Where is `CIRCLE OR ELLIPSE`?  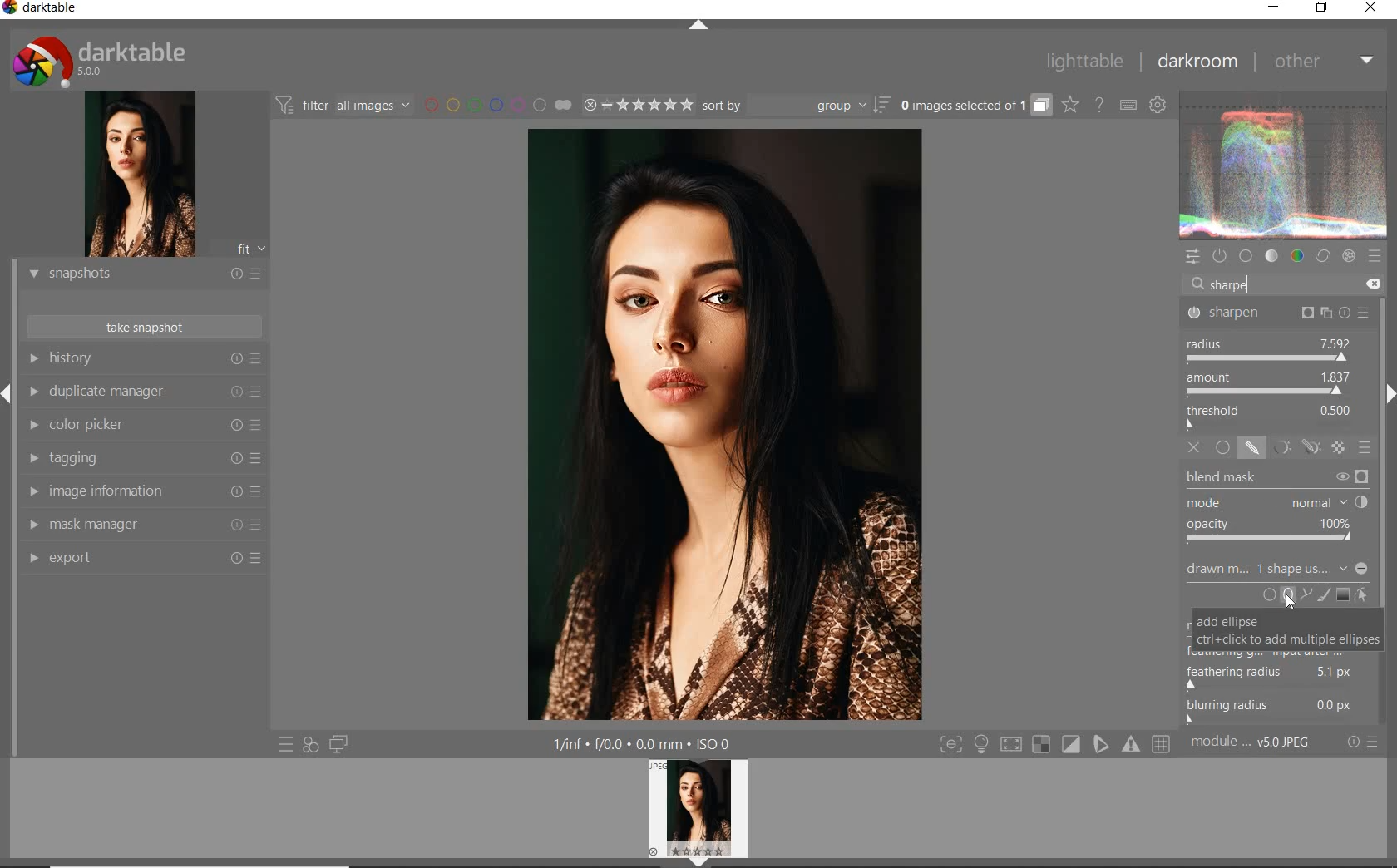 CIRCLE OR ELLIPSE is located at coordinates (1275, 596).